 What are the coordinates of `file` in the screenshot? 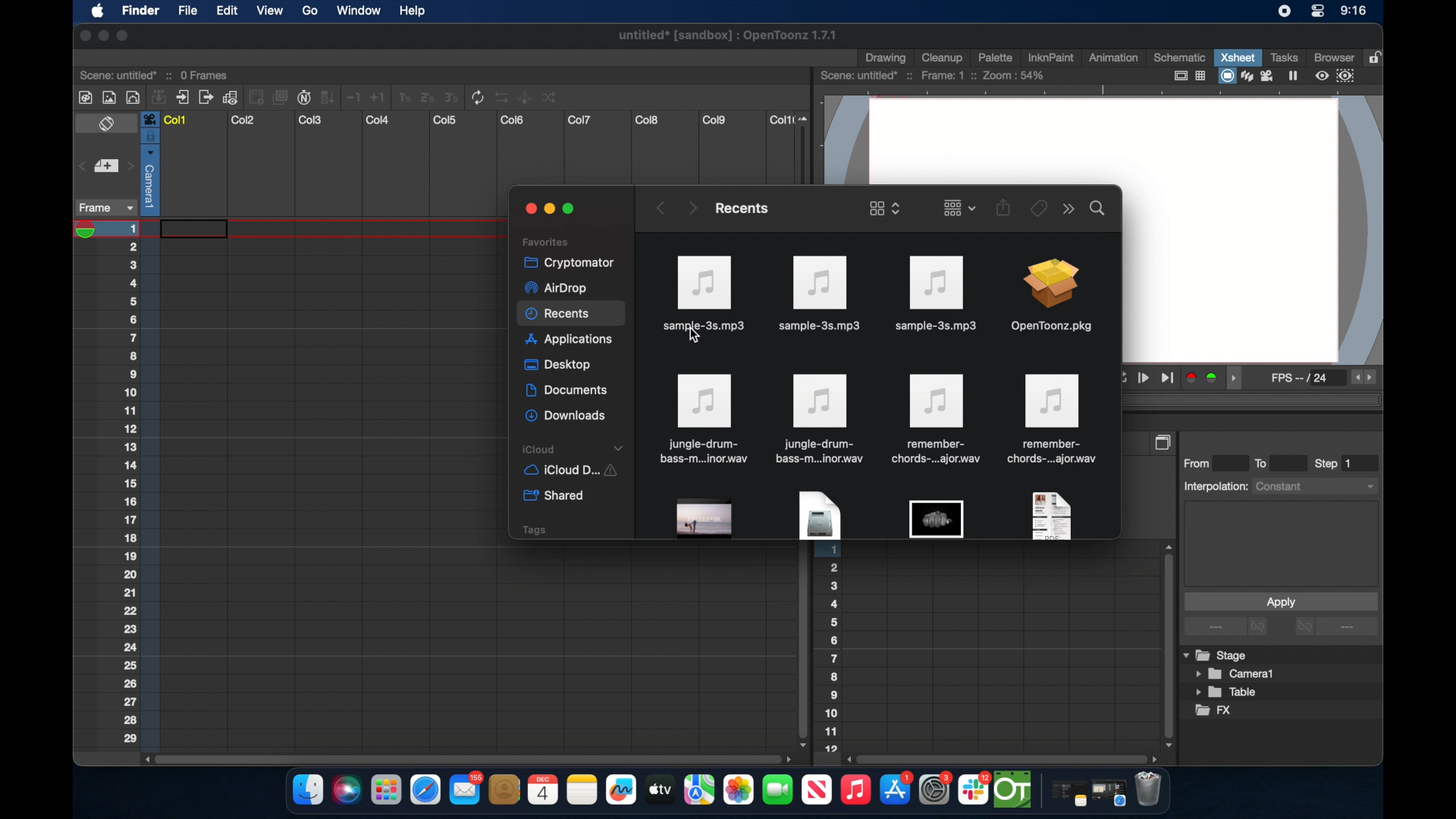 It's located at (934, 419).